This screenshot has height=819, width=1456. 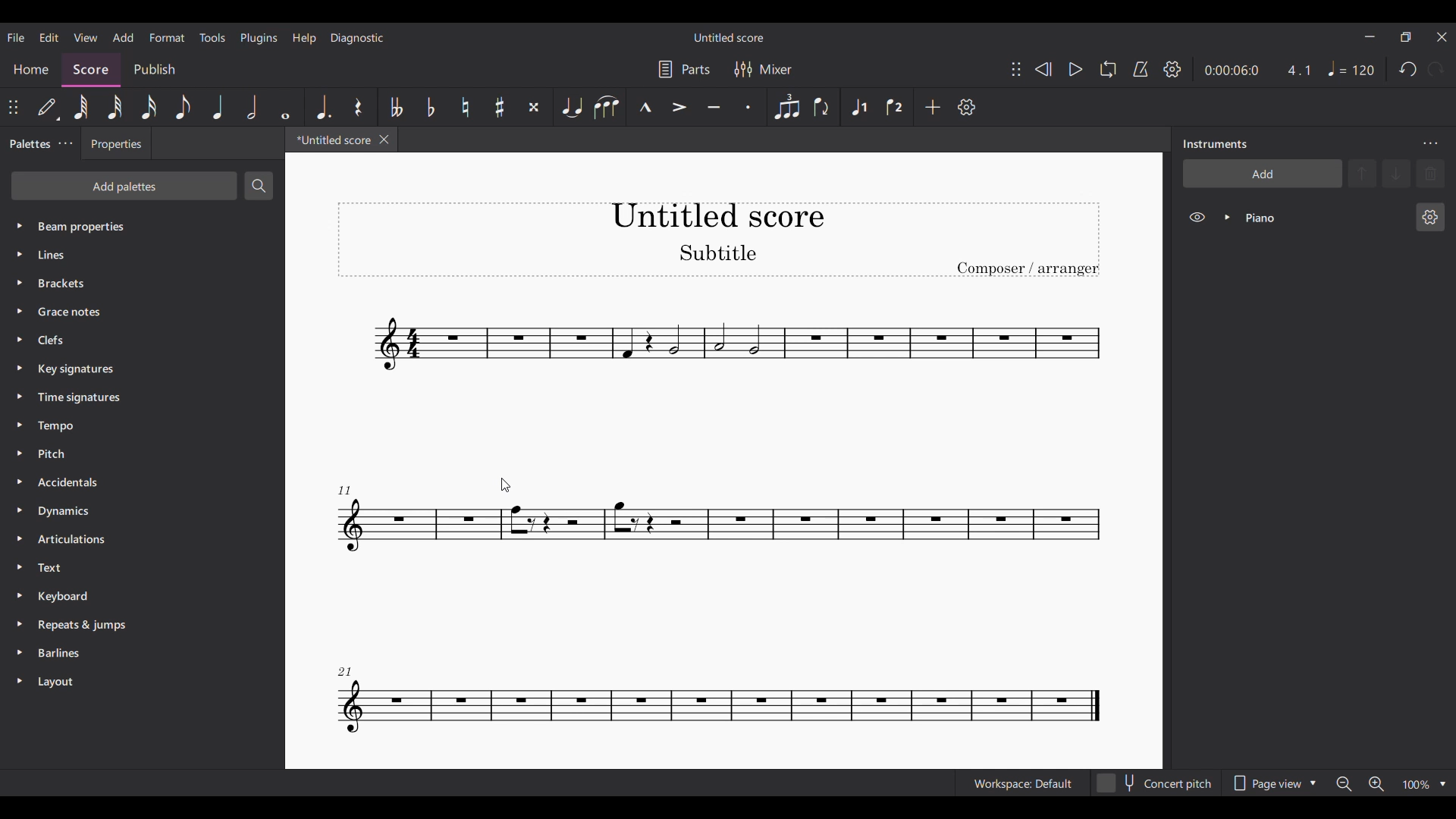 I want to click on Score title, sub-title and composer / arranger, so click(x=718, y=240).